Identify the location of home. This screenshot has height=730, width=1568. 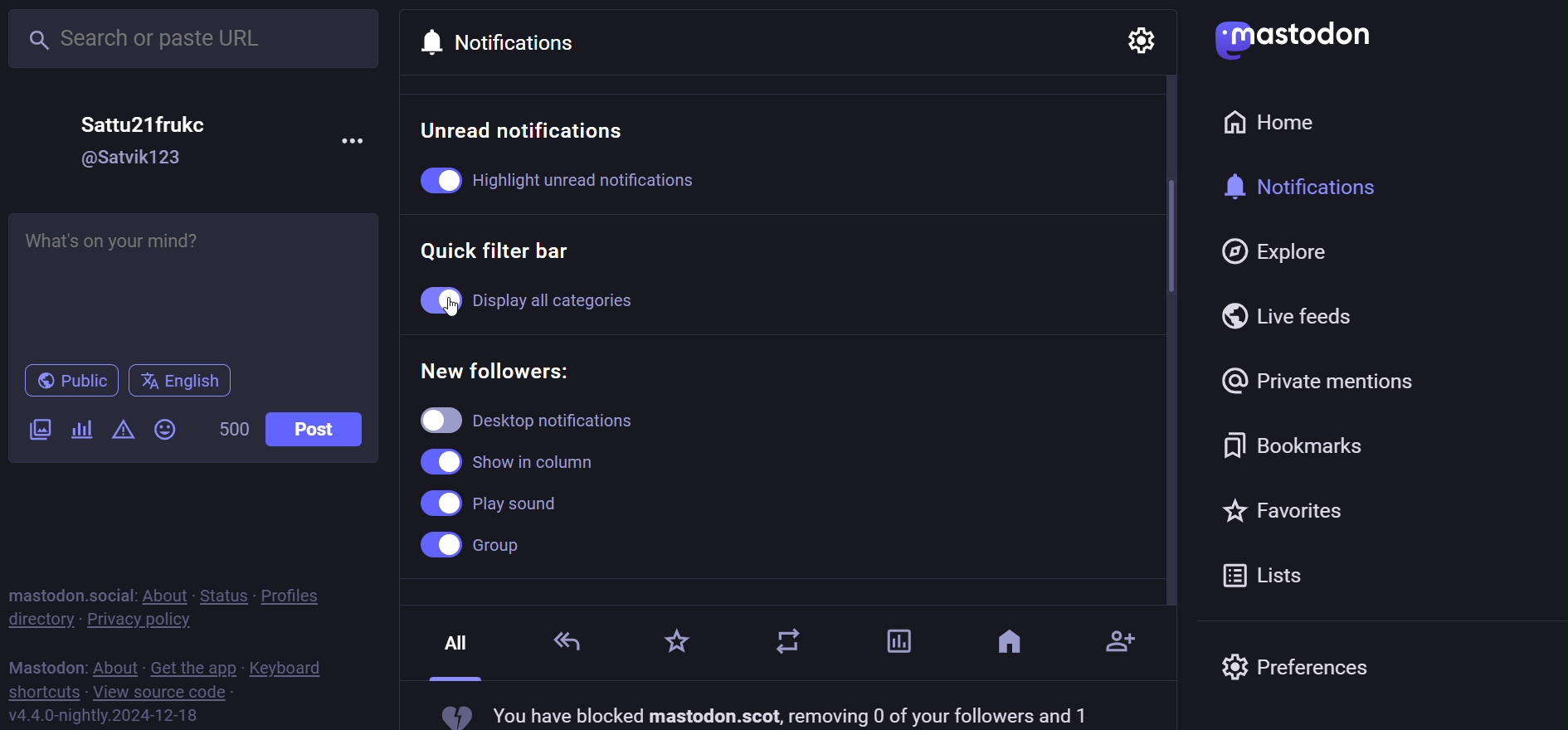
(1010, 646).